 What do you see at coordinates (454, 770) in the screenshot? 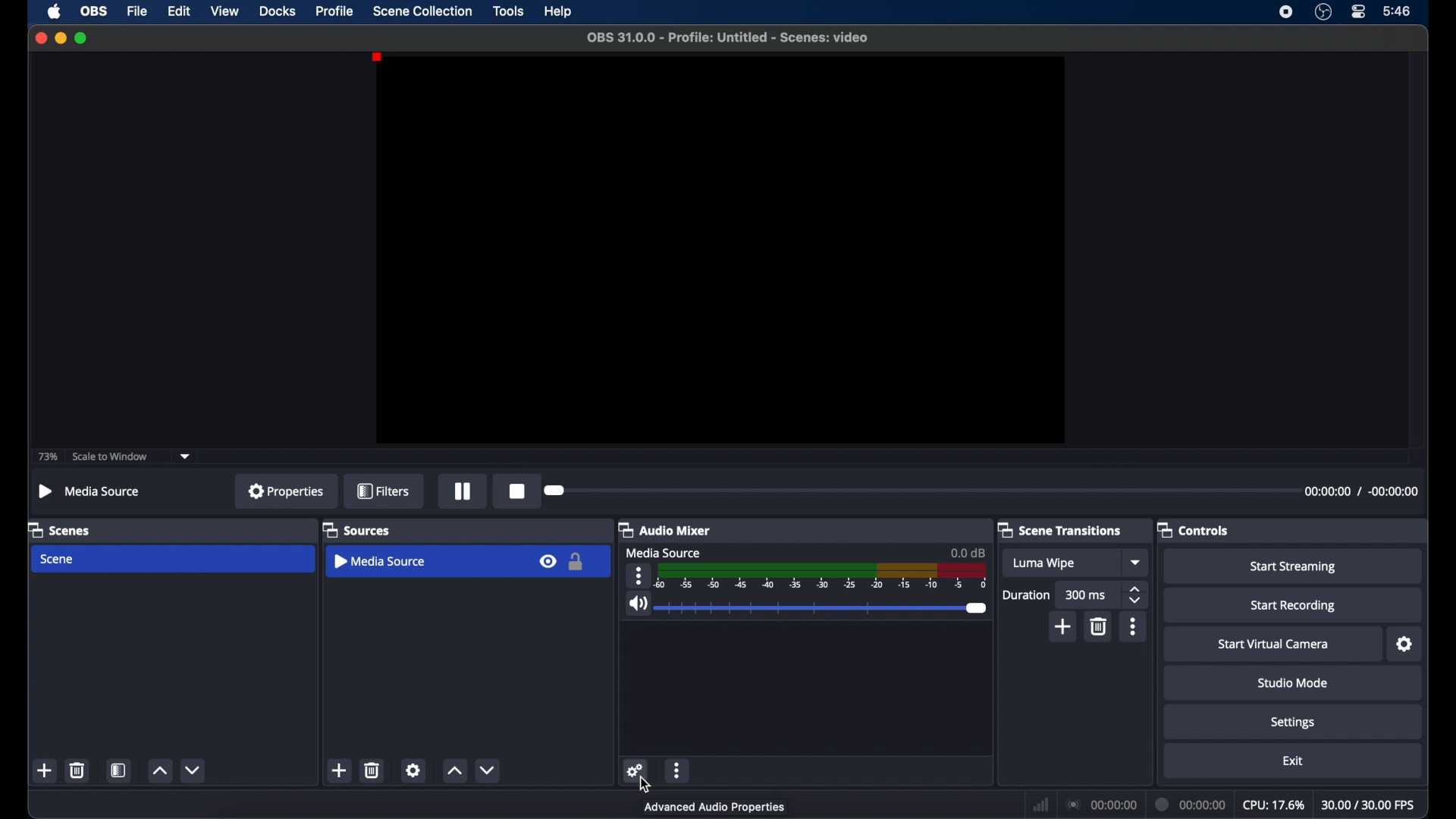
I see `increment` at bounding box center [454, 770].